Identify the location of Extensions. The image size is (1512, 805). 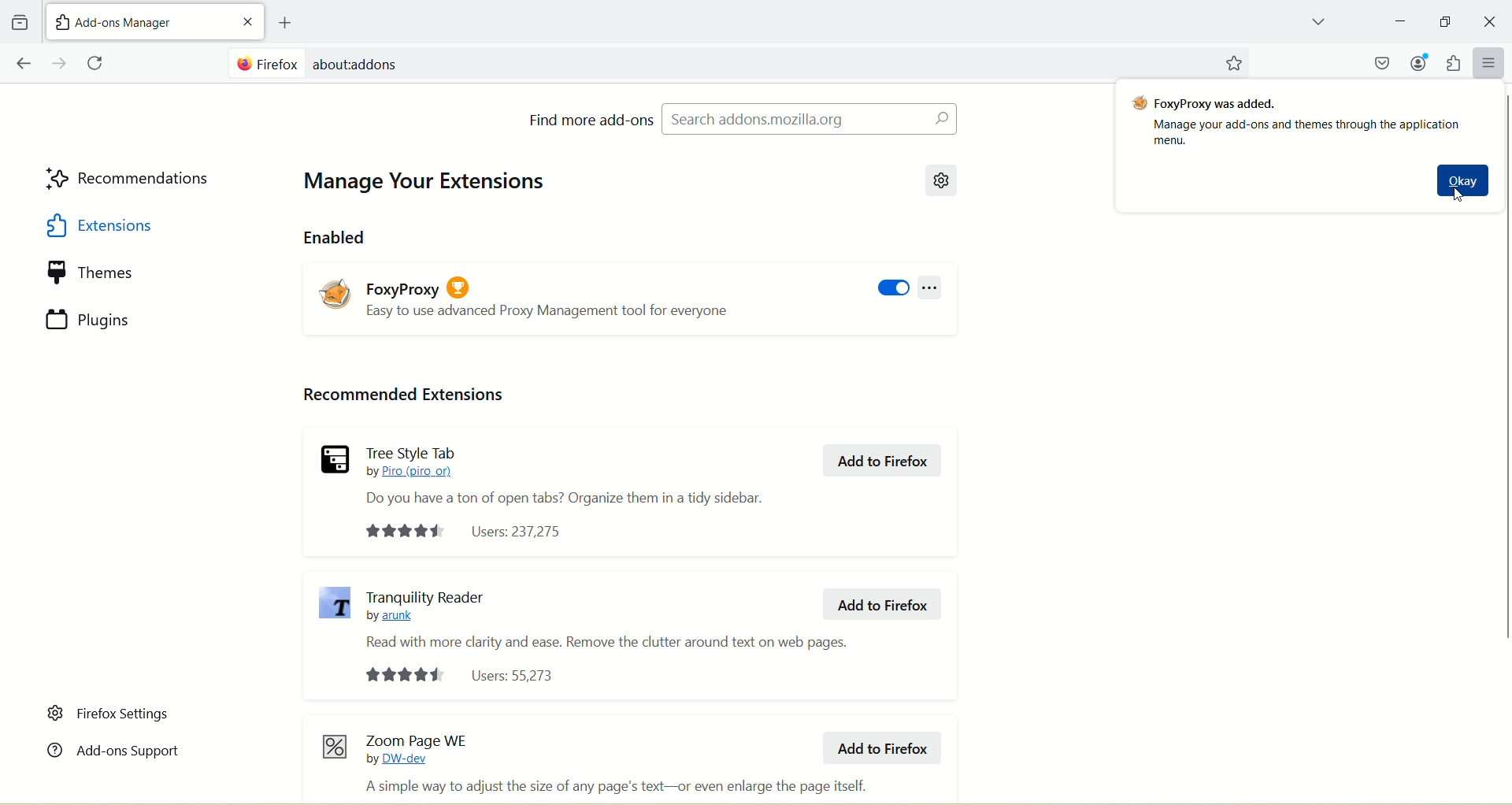
(132, 225).